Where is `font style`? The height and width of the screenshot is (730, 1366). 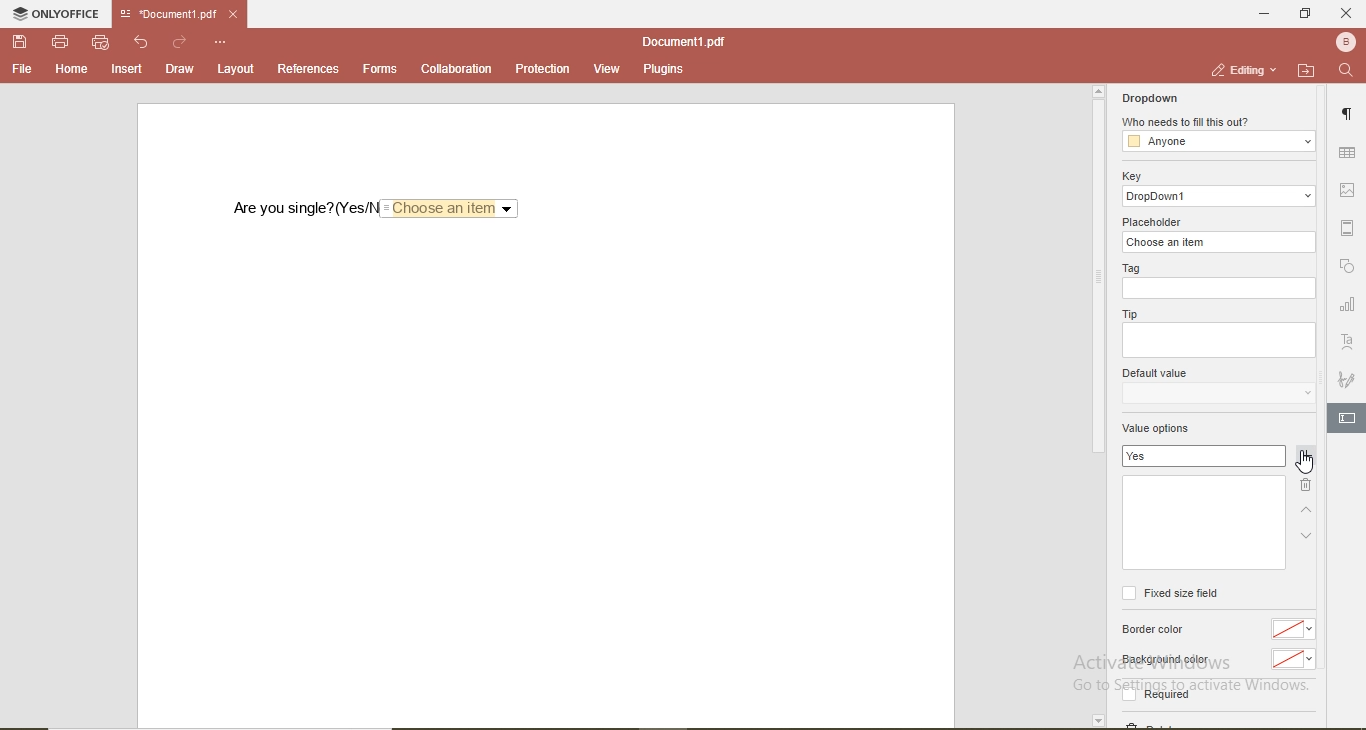
font style is located at coordinates (1350, 341).